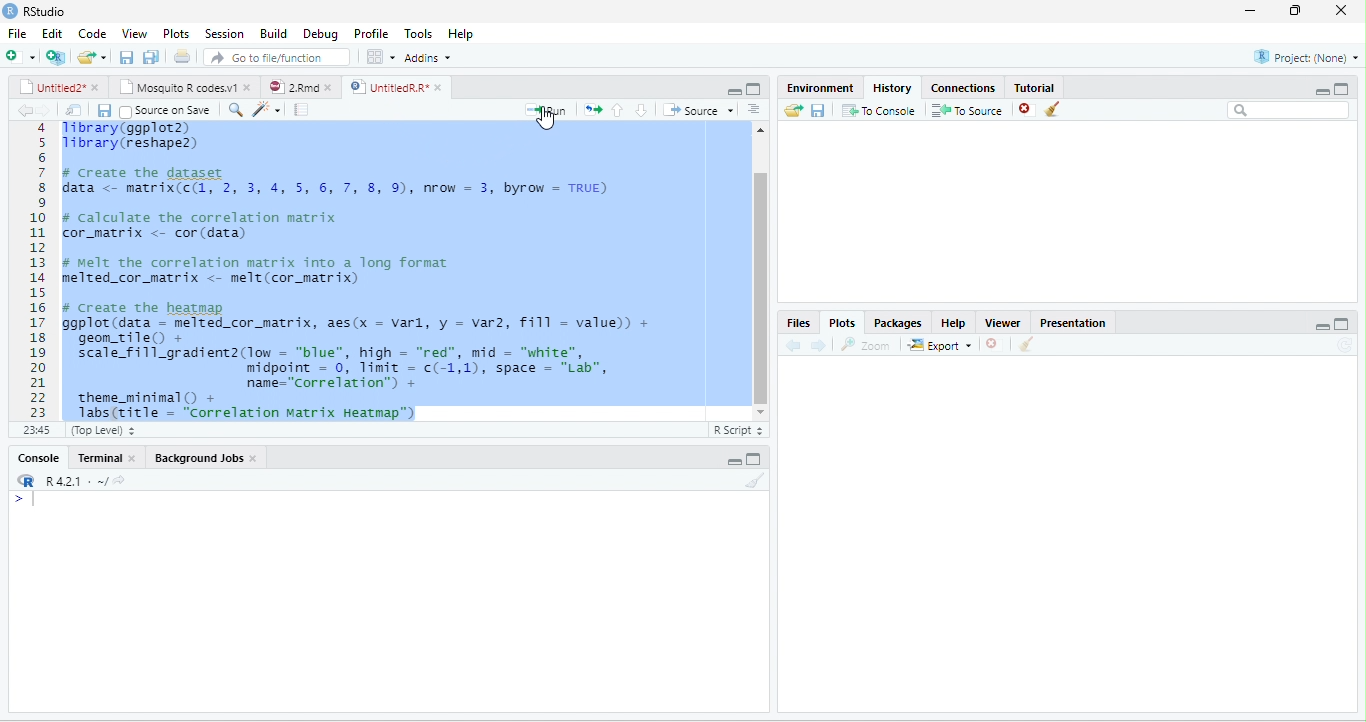 This screenshot has height=722, width=1366. What do you see at coordinates (797, 345) in the screenshot?
I see `previous` at bounding box center [797, 345].